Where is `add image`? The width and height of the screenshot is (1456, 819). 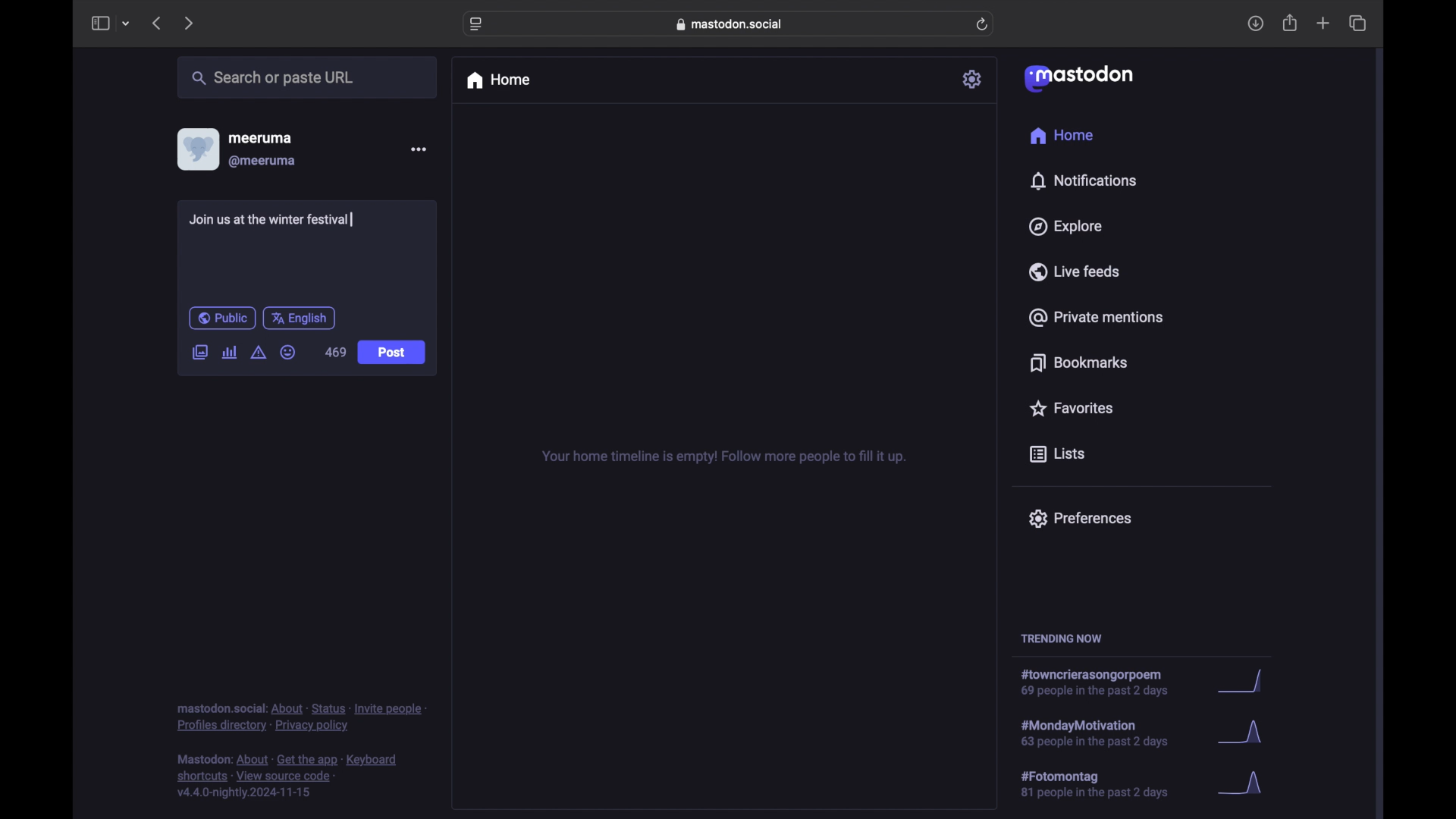 add image is located at coordinates (199, 353).